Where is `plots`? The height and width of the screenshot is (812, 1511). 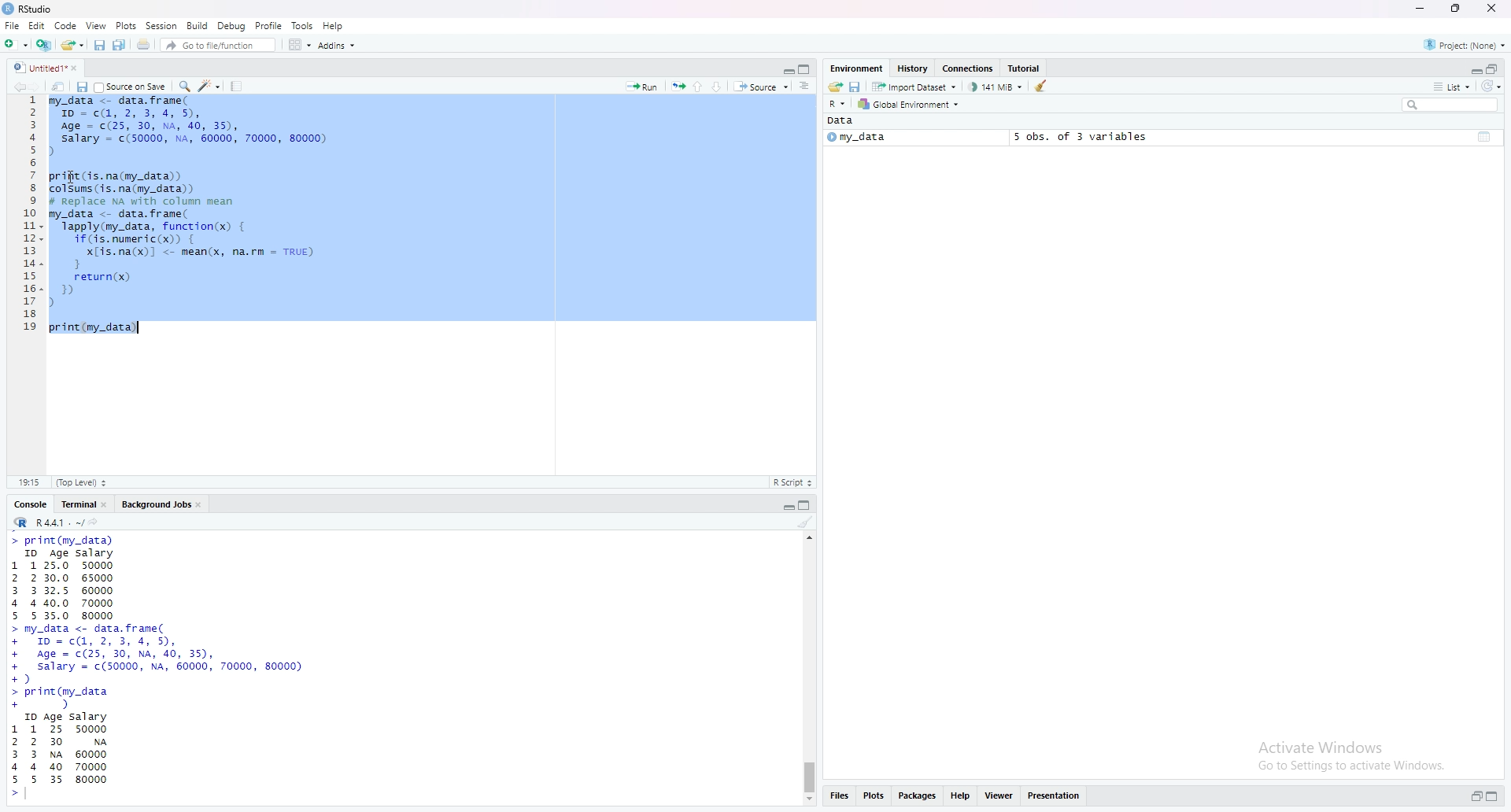
plots is located at coordinates (875, 795).